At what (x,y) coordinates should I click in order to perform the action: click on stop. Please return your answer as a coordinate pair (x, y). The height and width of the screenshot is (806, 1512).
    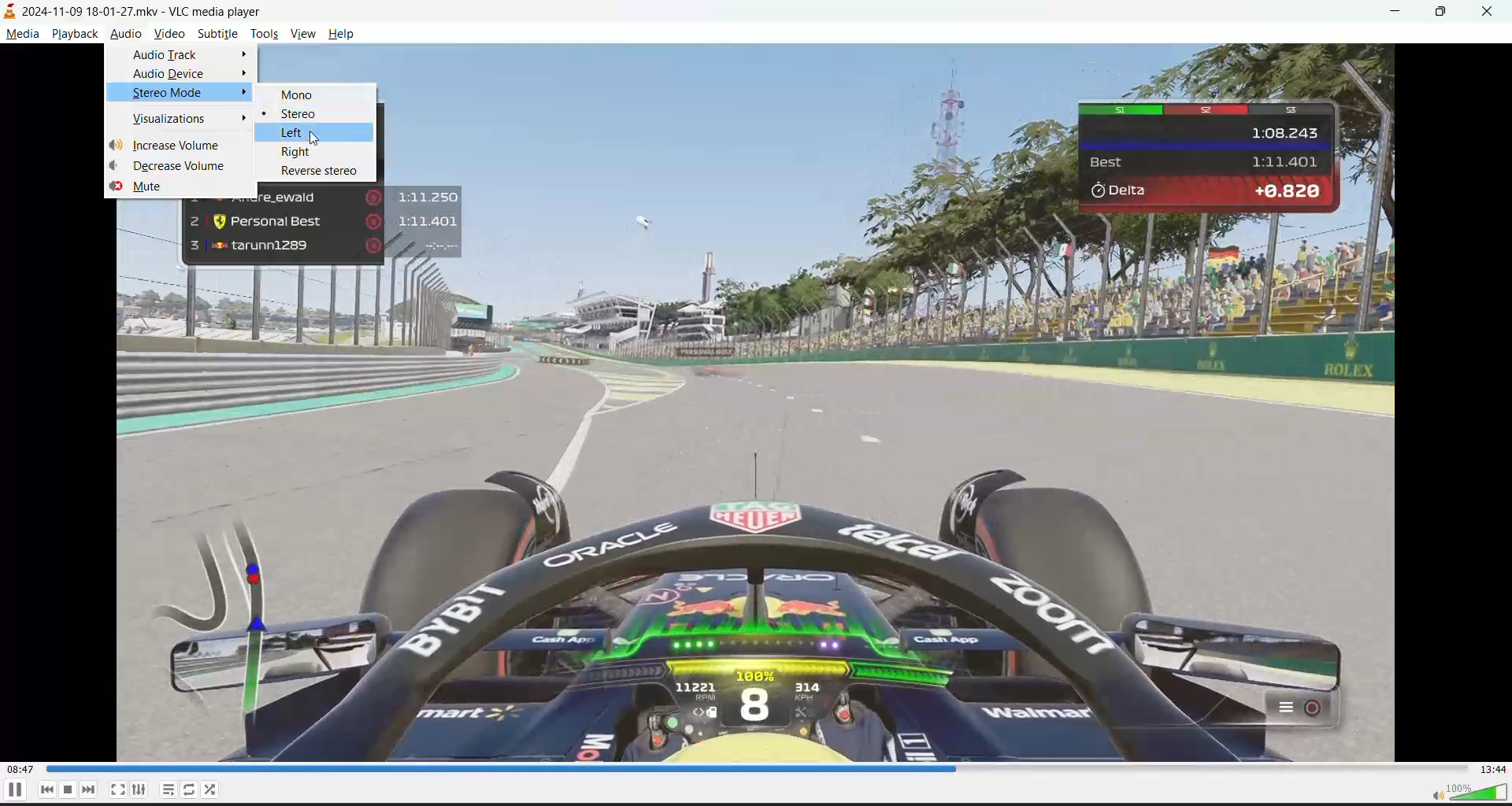
    Looking at the image, I should click on (67, 789).